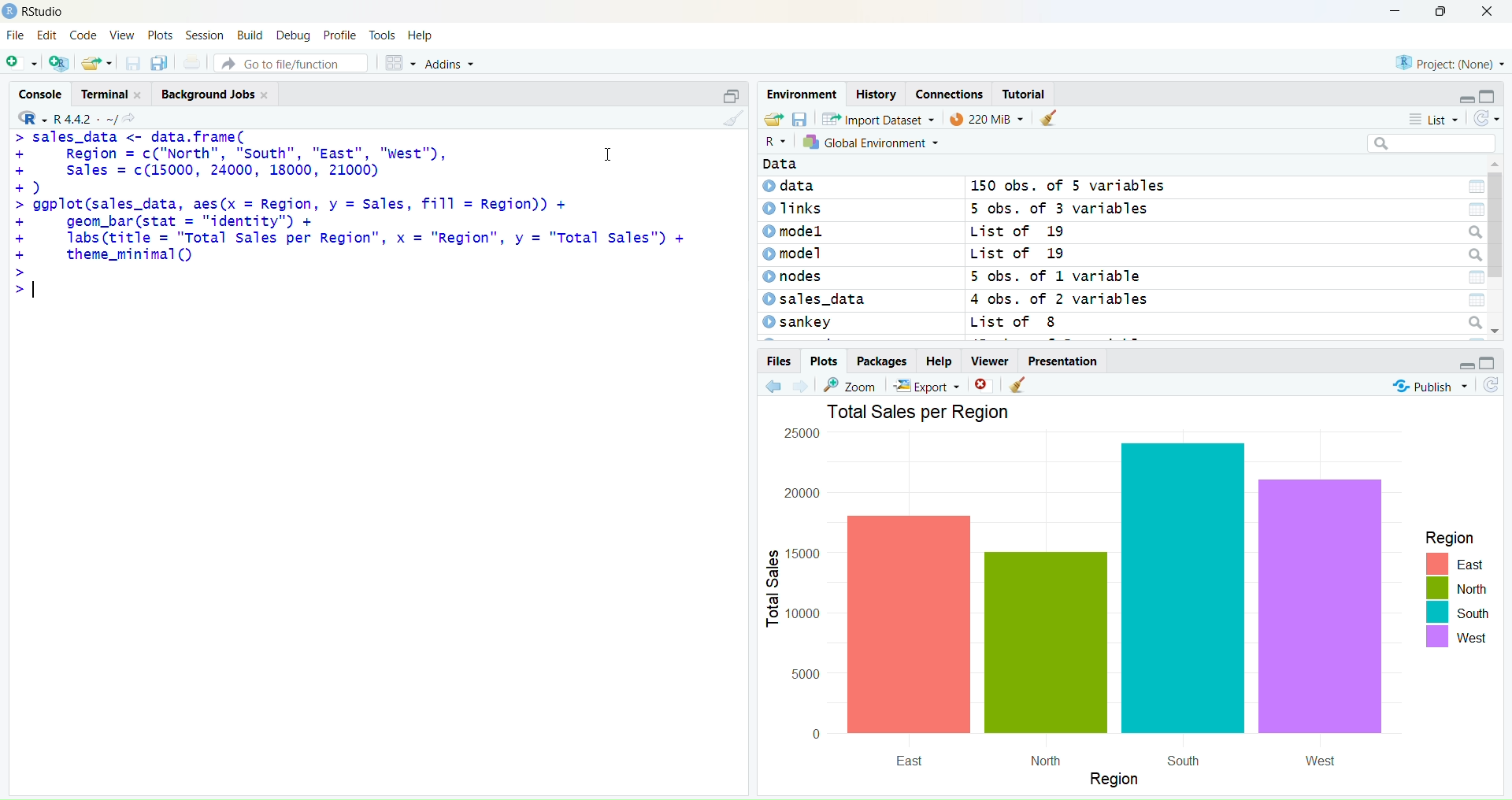 This screenshot has height=800, width=1512. Describe the element at coordinates (60, 65) in the screenshot. I see `add multiple scripts` at that location.